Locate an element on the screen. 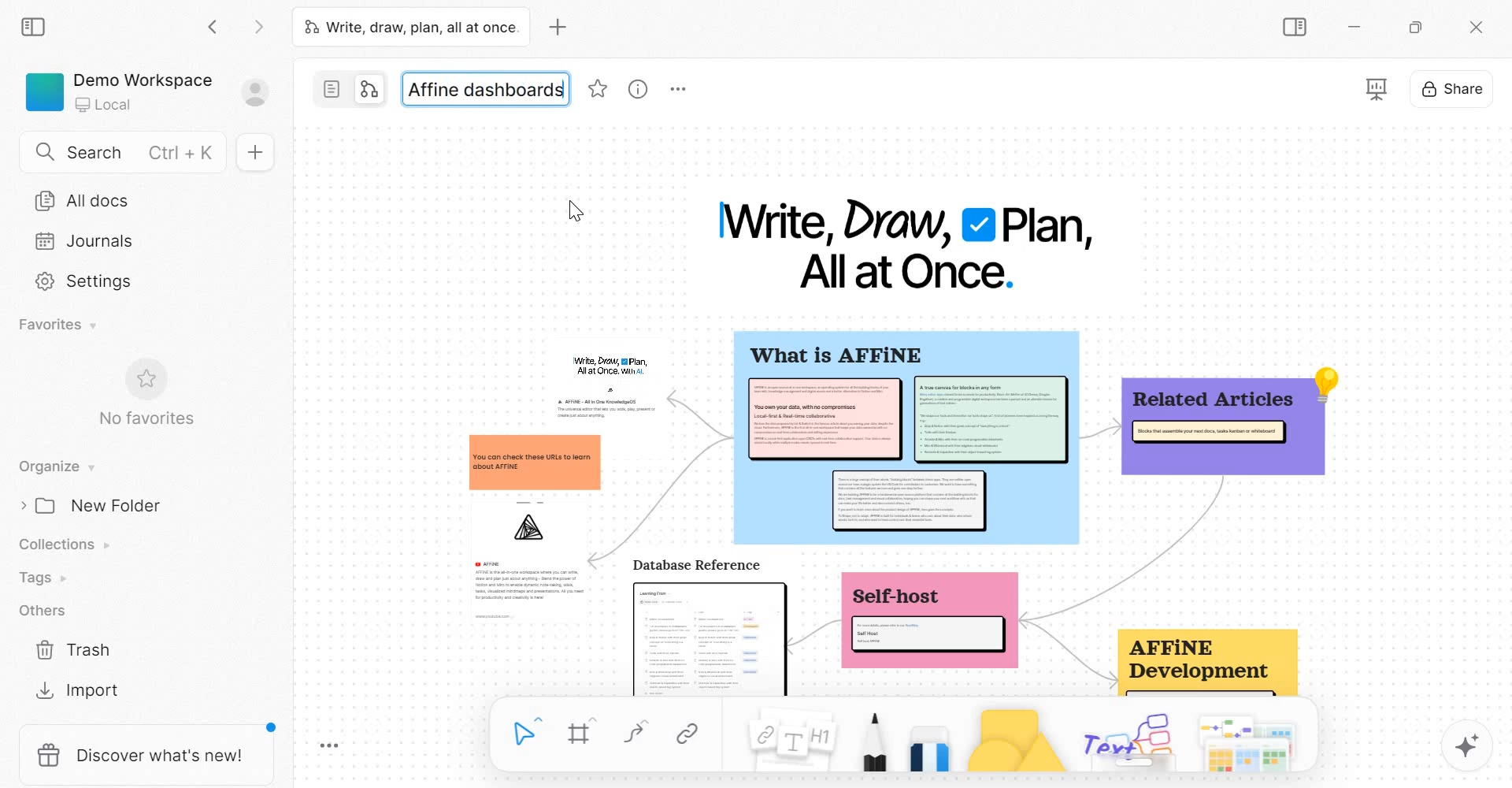 The height and width of the screenshot is (788, 1512). No favorites is located at coordinates (146, 421).